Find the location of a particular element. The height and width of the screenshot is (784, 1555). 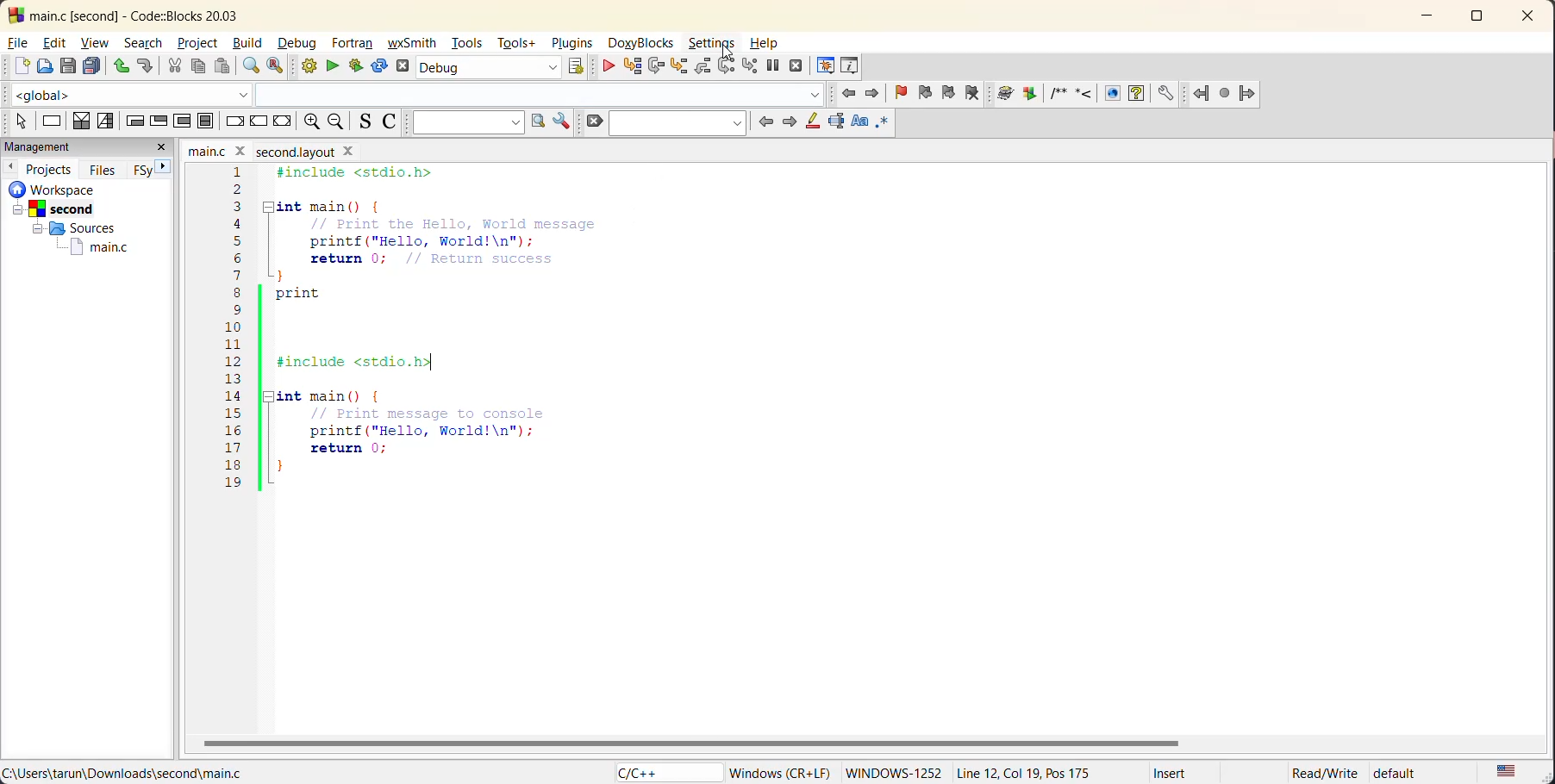

next is located at coordinates (790, 122).